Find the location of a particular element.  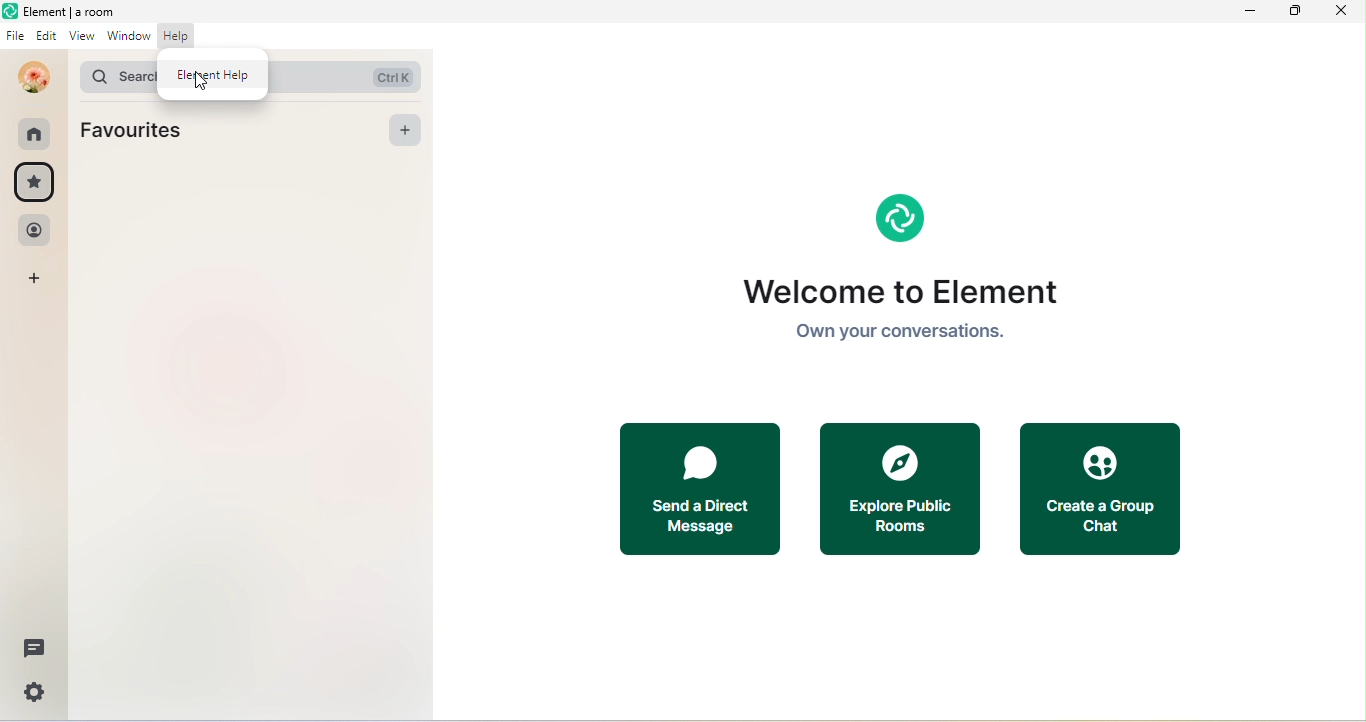

create a group chat is located at coordinates (1105, 485).